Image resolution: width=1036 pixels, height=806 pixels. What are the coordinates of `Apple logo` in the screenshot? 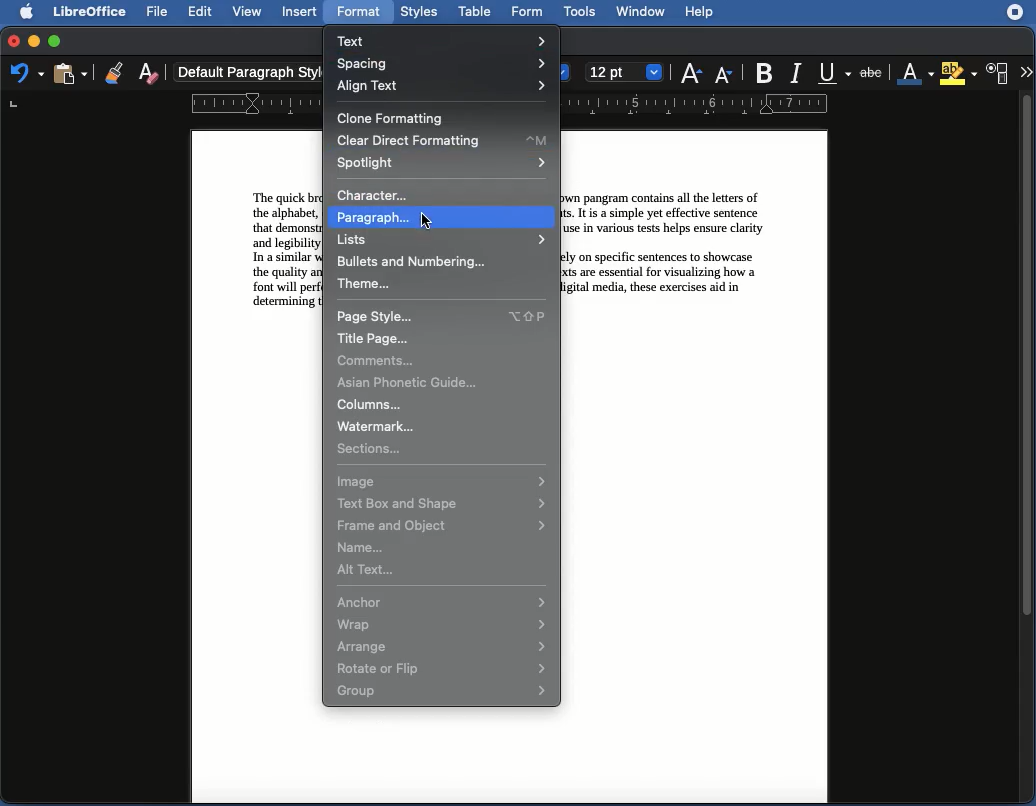 It's located at (21, 11).